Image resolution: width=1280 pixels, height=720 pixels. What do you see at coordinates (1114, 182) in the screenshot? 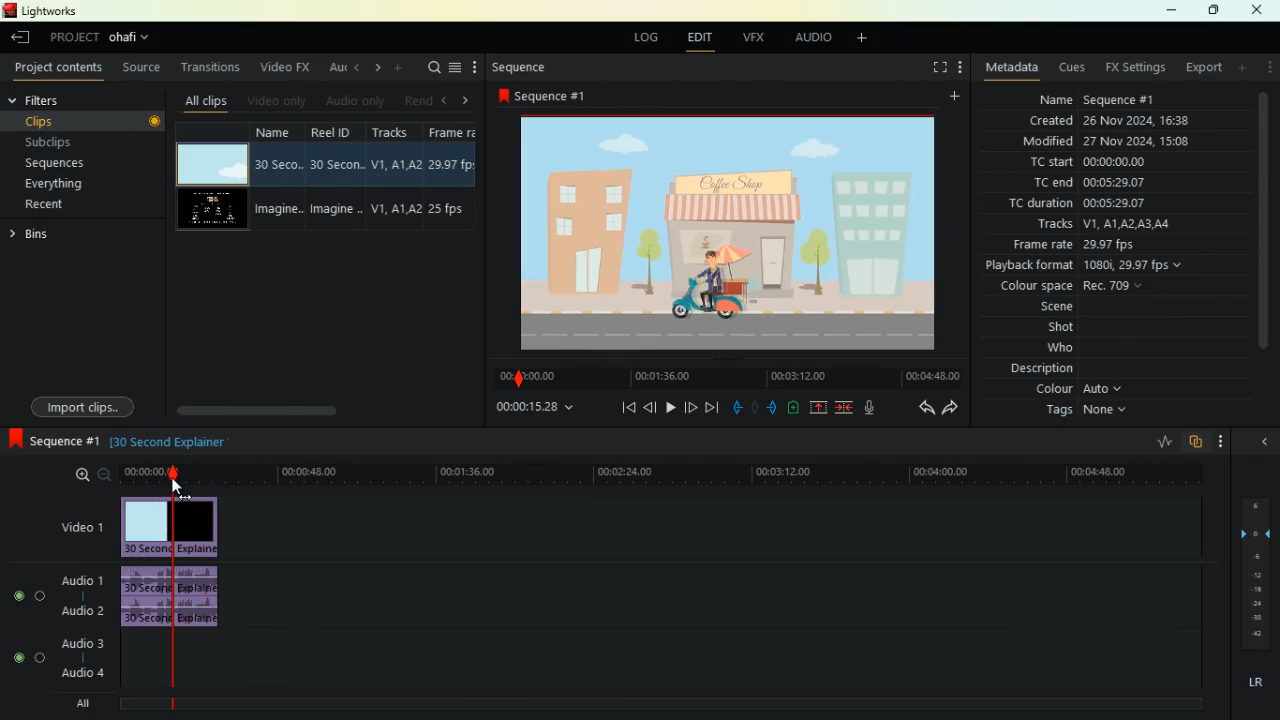
I see `00:05:29.07` at bounding box center [1114, 182].